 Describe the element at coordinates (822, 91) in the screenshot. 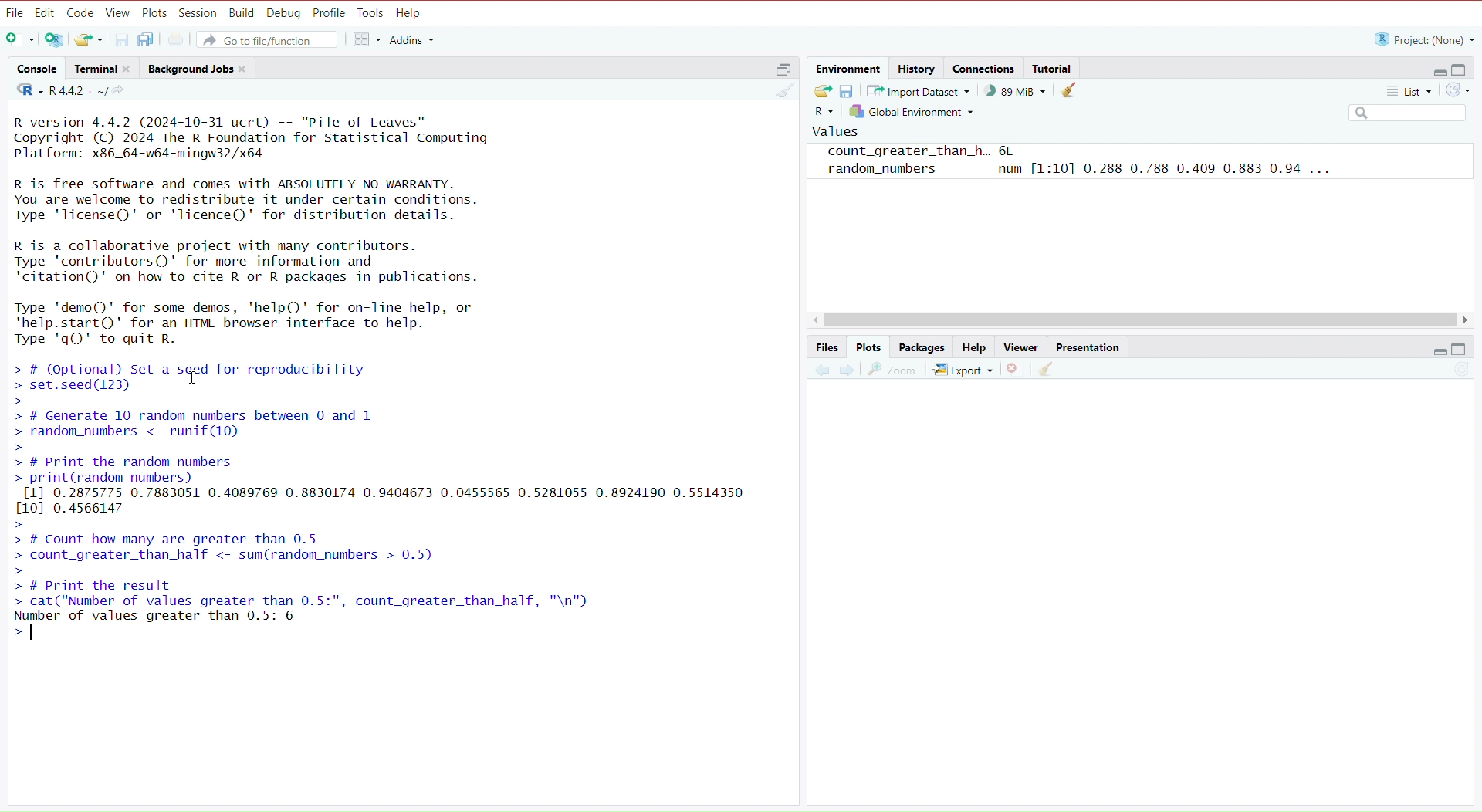

I see `Export history logs` at that location.